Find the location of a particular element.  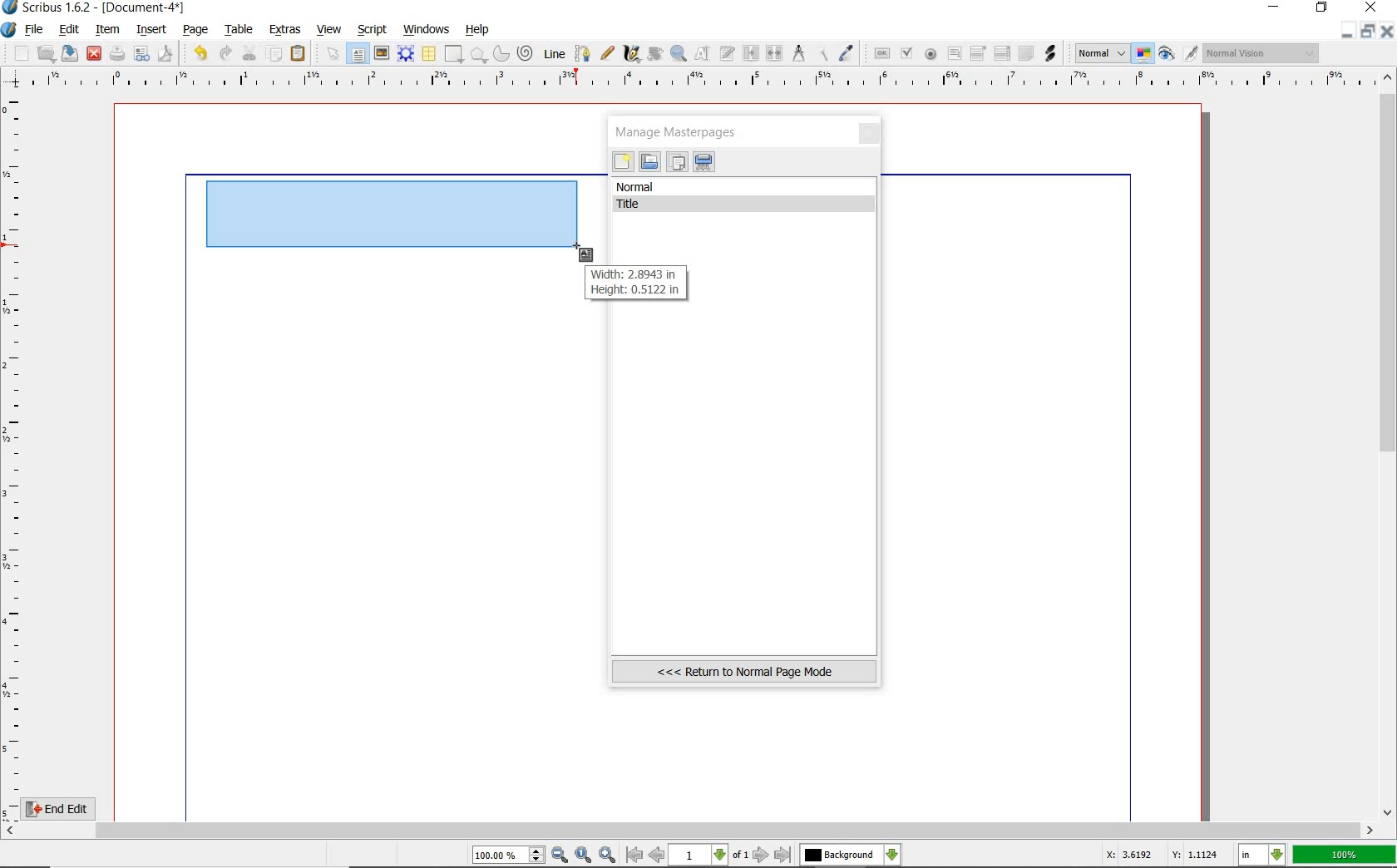

normal is located at coordinates (745, 187).